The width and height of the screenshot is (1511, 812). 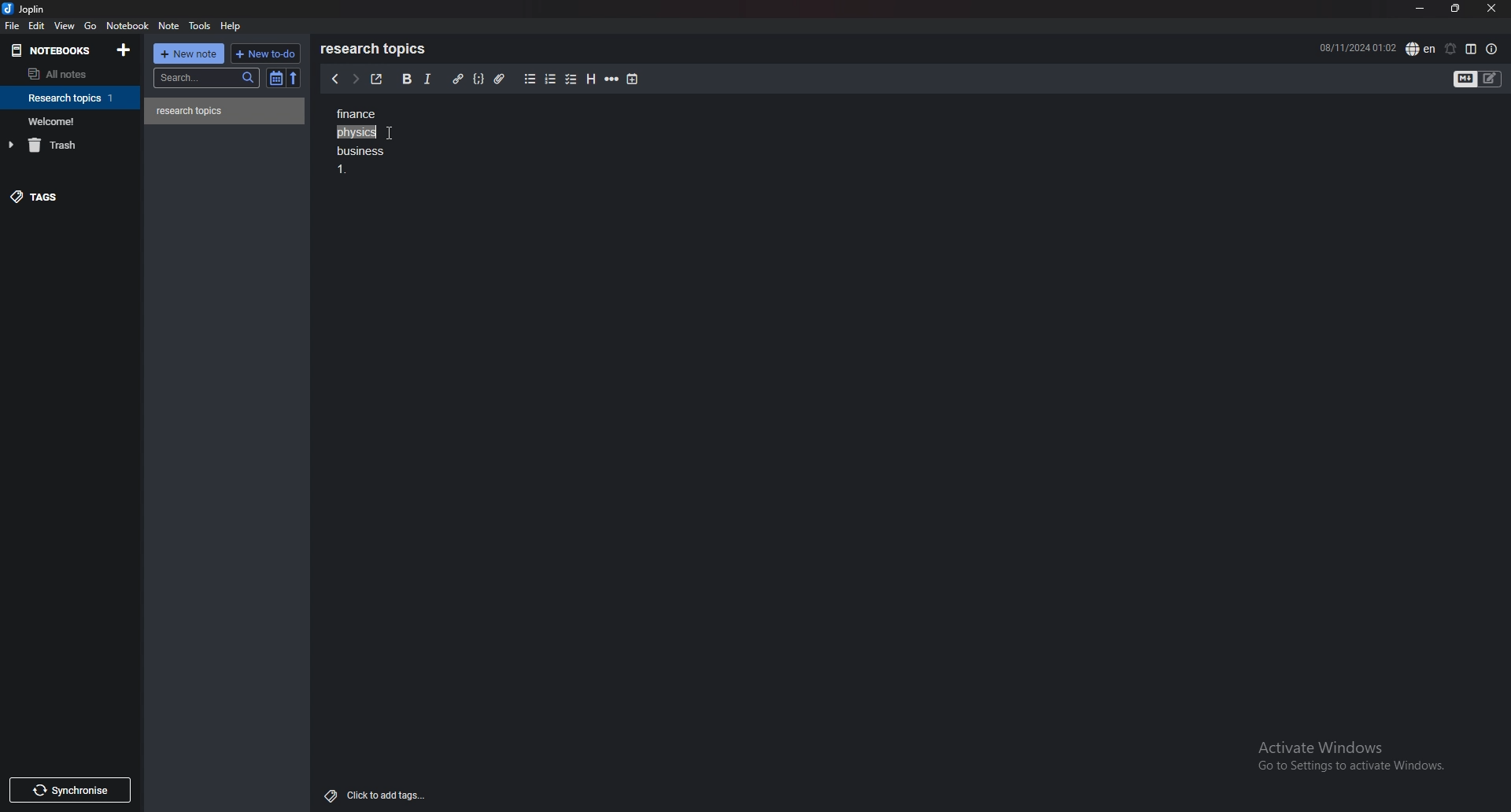 I want to click on go, so click(x=90, y=26).